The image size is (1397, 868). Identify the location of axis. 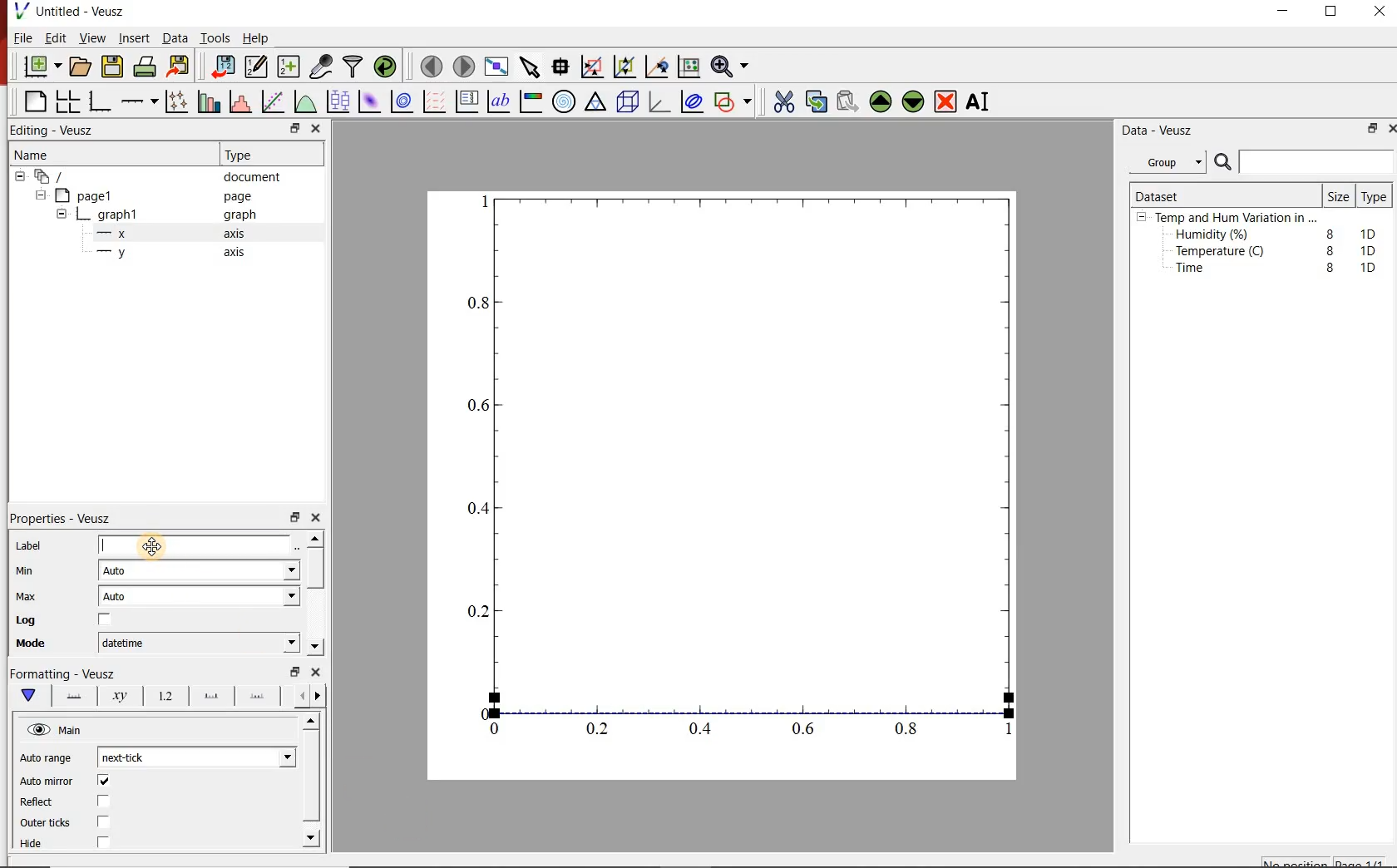
(238, 254).